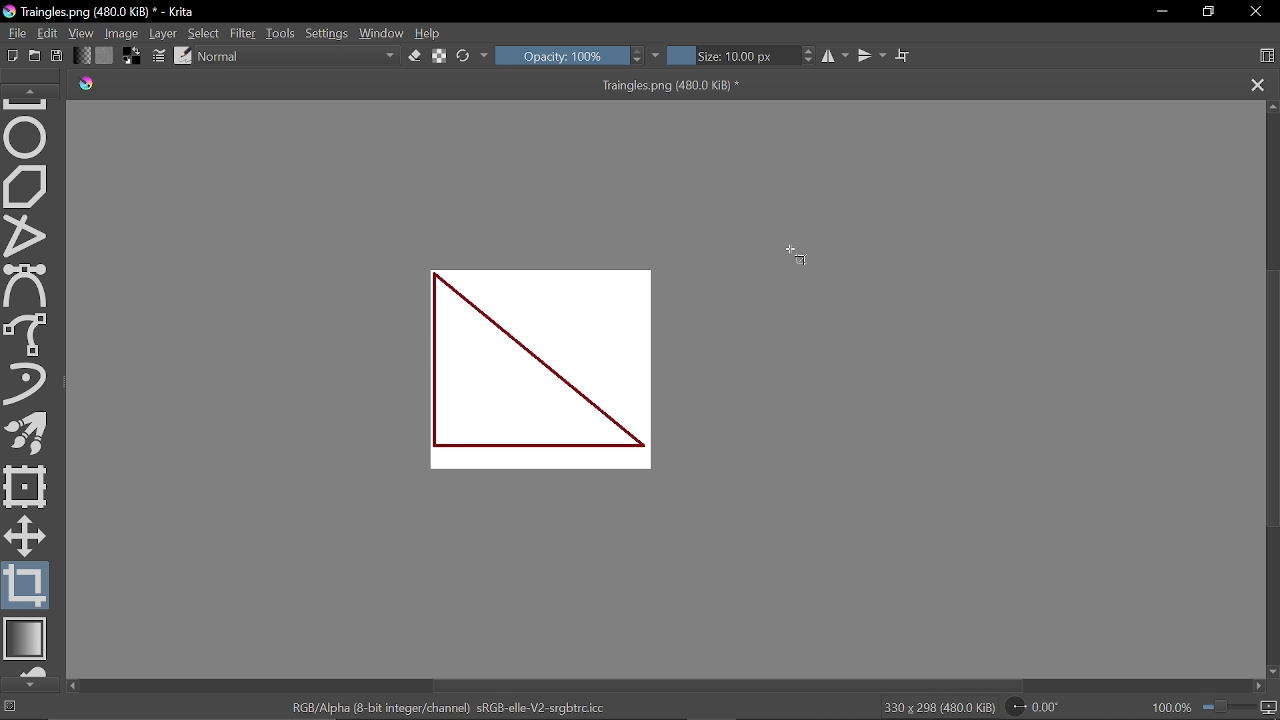 This screenshot has width=1280, height=720. Describe the element at coordinates (1272, 106) in the screenshot. I see `Move up` at that location.